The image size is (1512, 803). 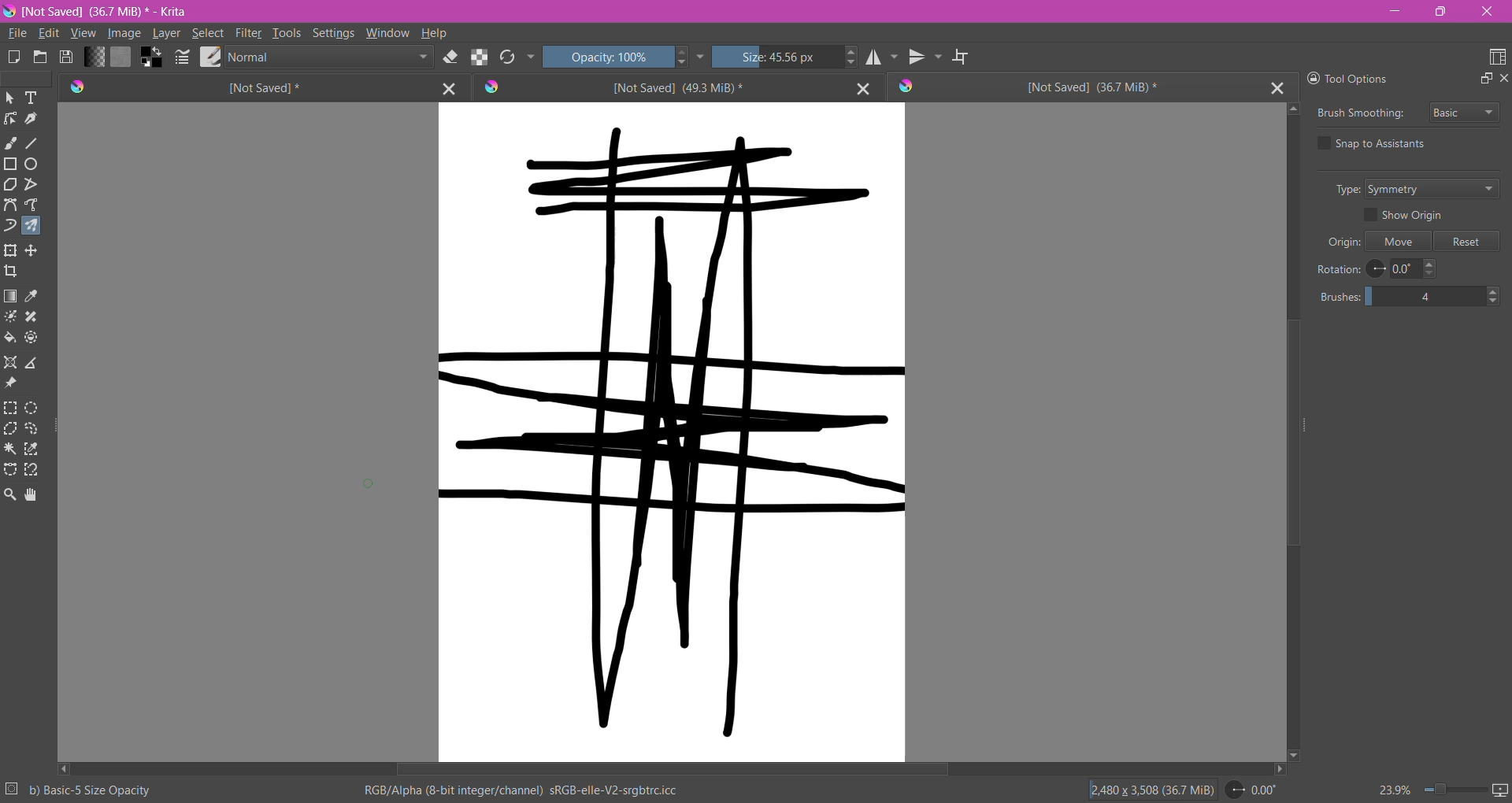 I want to click on Close, so click(x=1486, y=13).